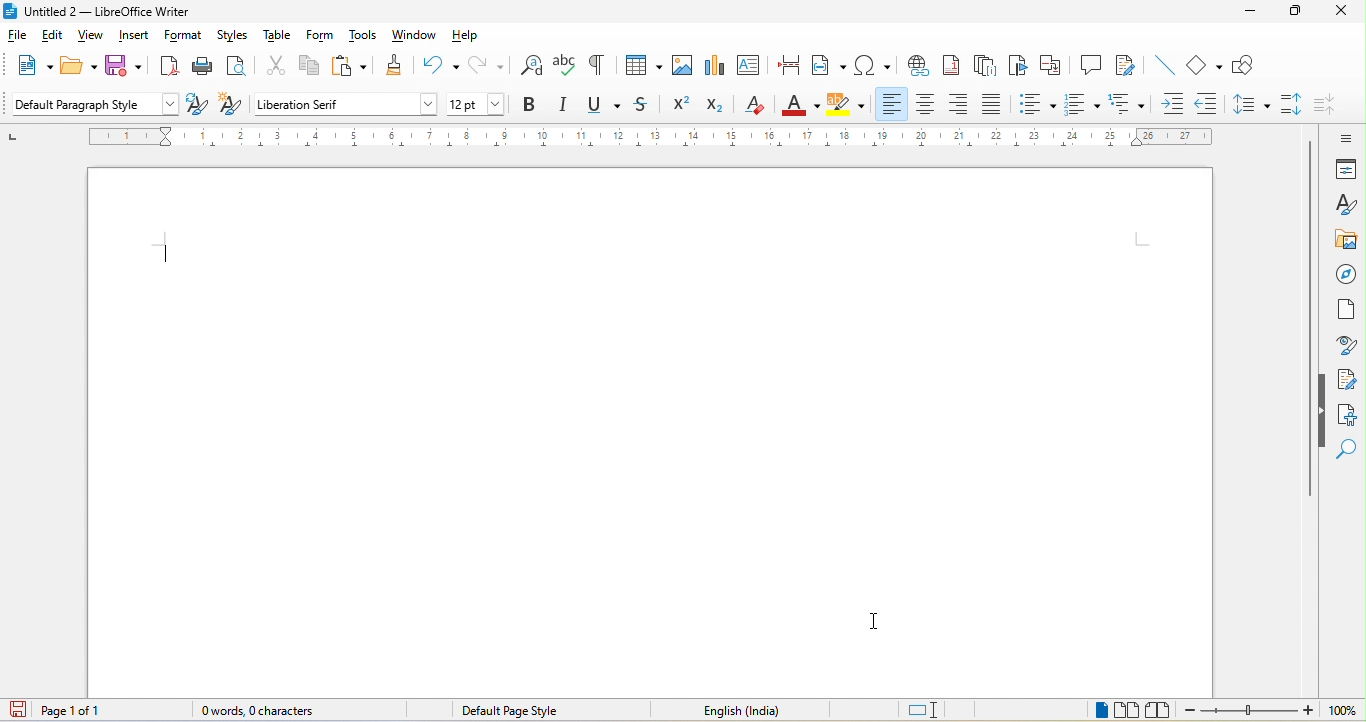 Image resolution: width=1366 pixels, height=722 pixels. What do you see at coordinates (645, 109) in the screenshot?
I see `strikethrough` at bounding box center [645, 109].